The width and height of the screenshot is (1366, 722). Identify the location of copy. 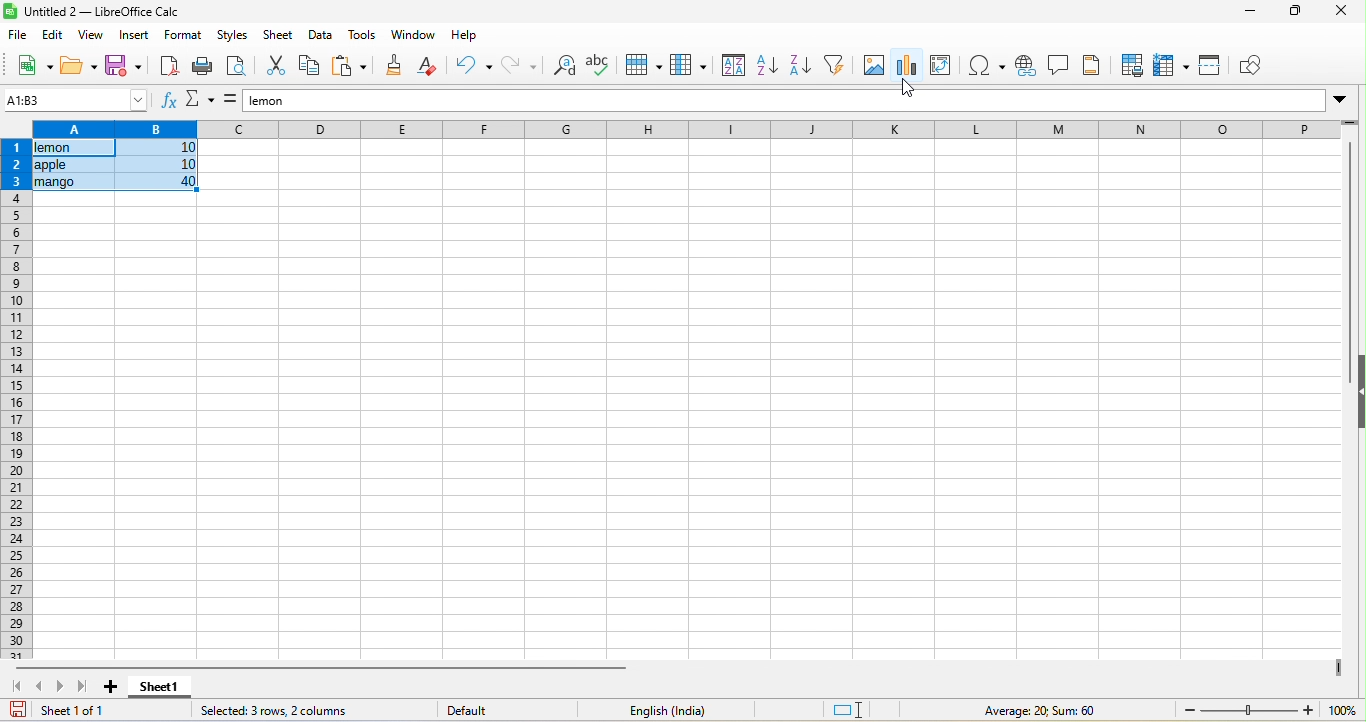
(310, 69).